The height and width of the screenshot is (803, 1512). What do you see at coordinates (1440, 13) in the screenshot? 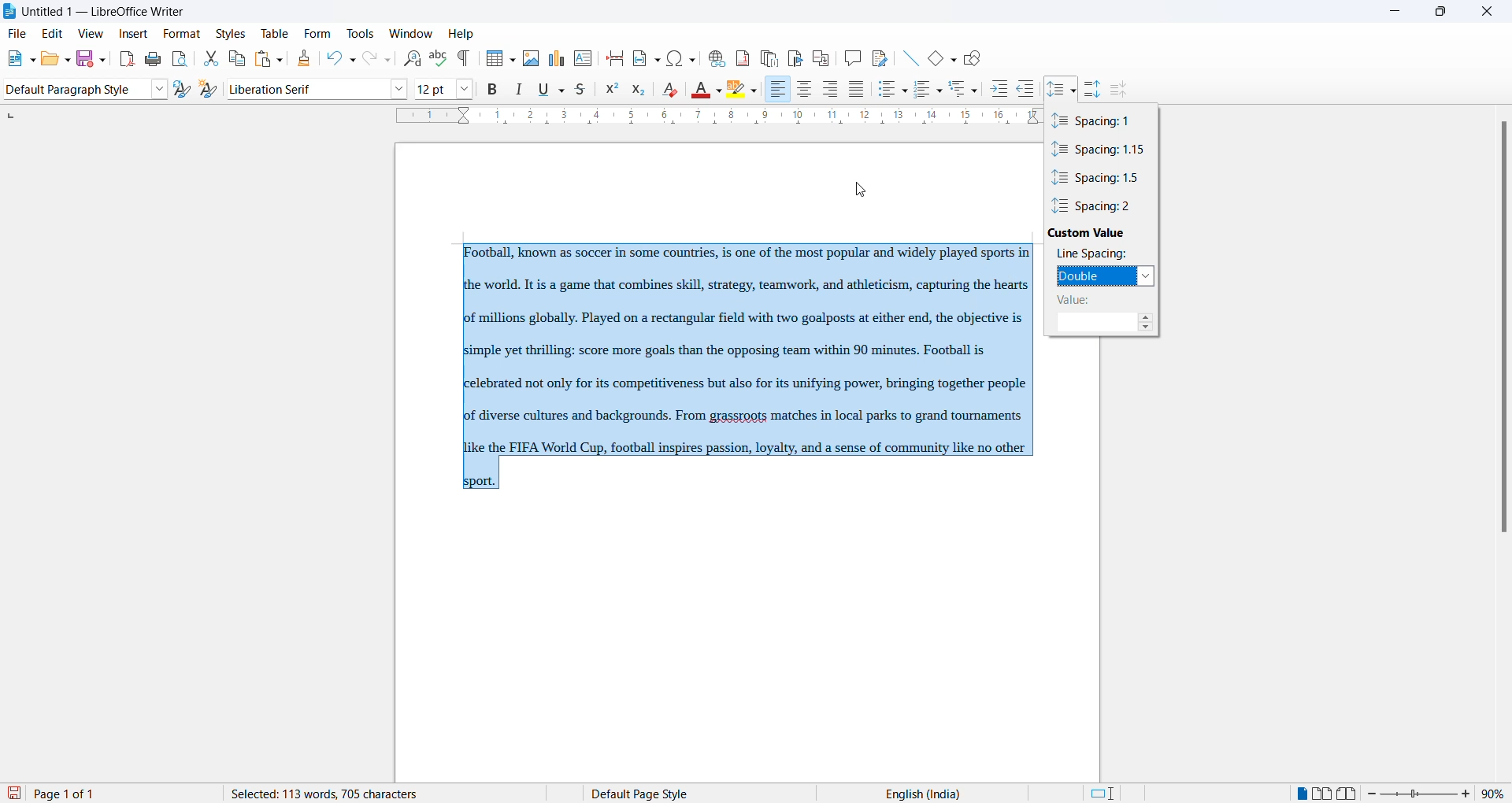
I see `maximize` at bounding box center [1440, 13].